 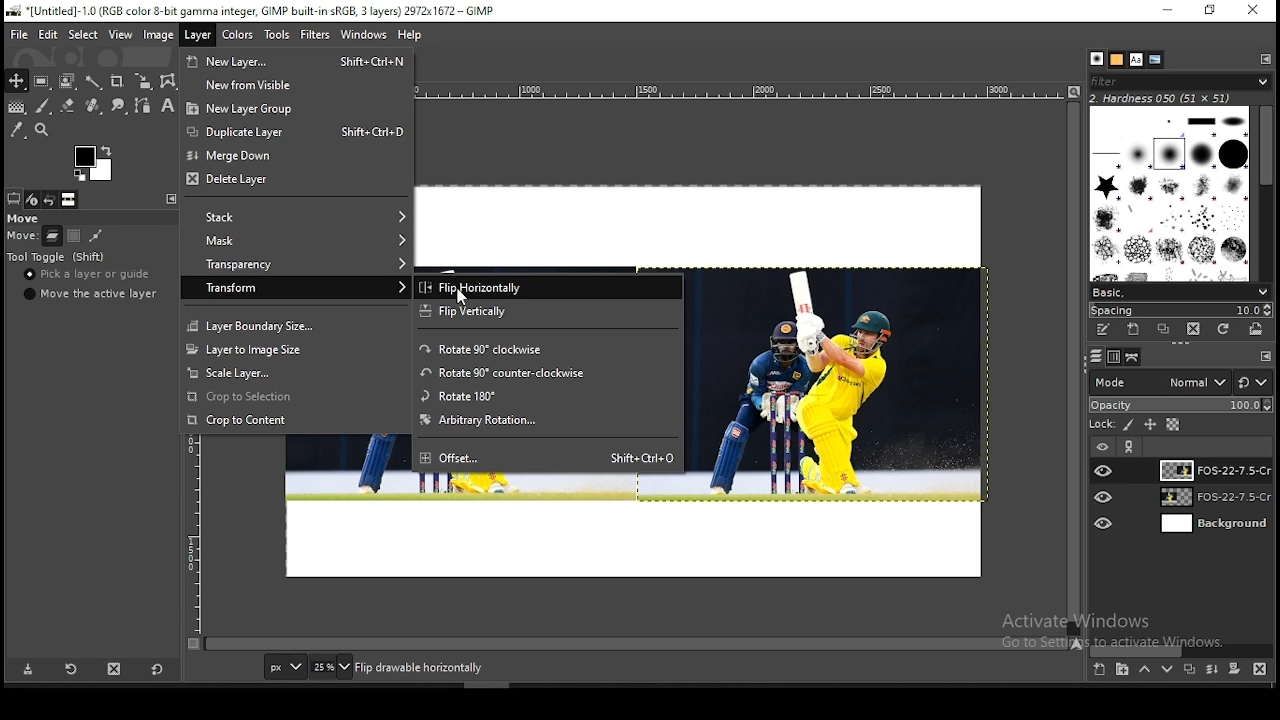 I want to click on Shortcut key, so click(x=372, y=60).